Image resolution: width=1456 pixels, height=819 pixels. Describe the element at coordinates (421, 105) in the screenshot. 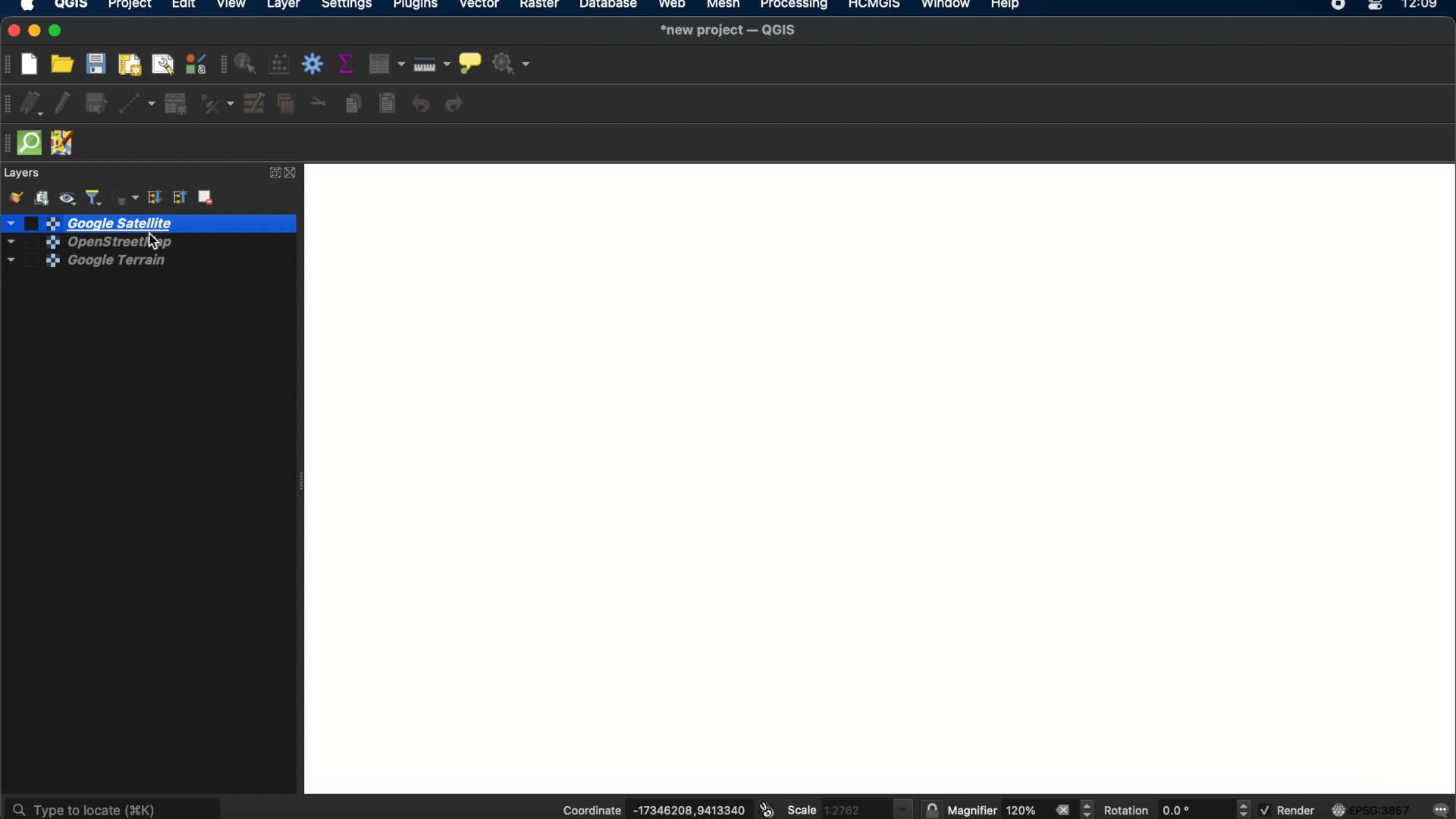

I see `undo` at that location.